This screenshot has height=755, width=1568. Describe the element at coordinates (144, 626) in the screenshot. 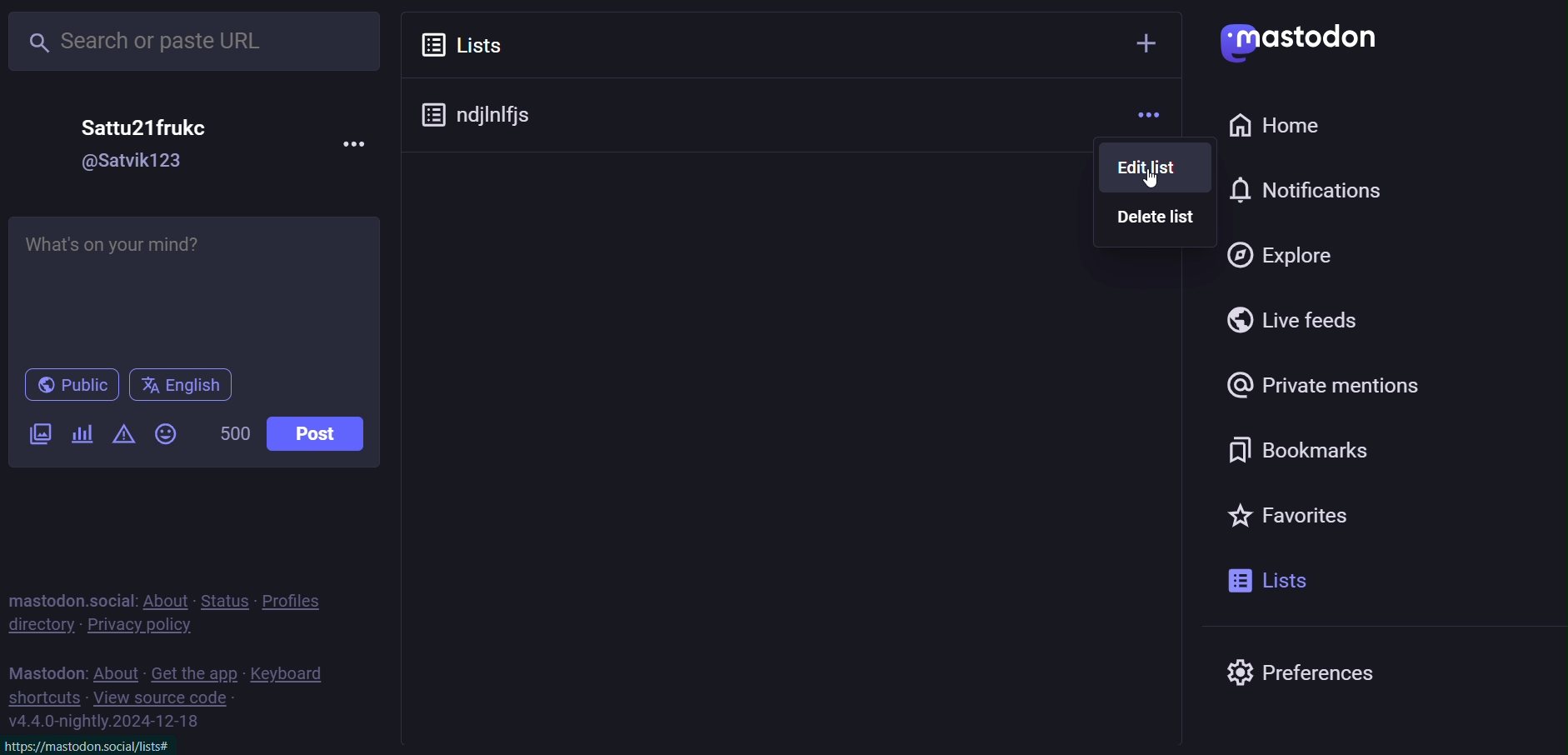

I see `private policy` at that location.